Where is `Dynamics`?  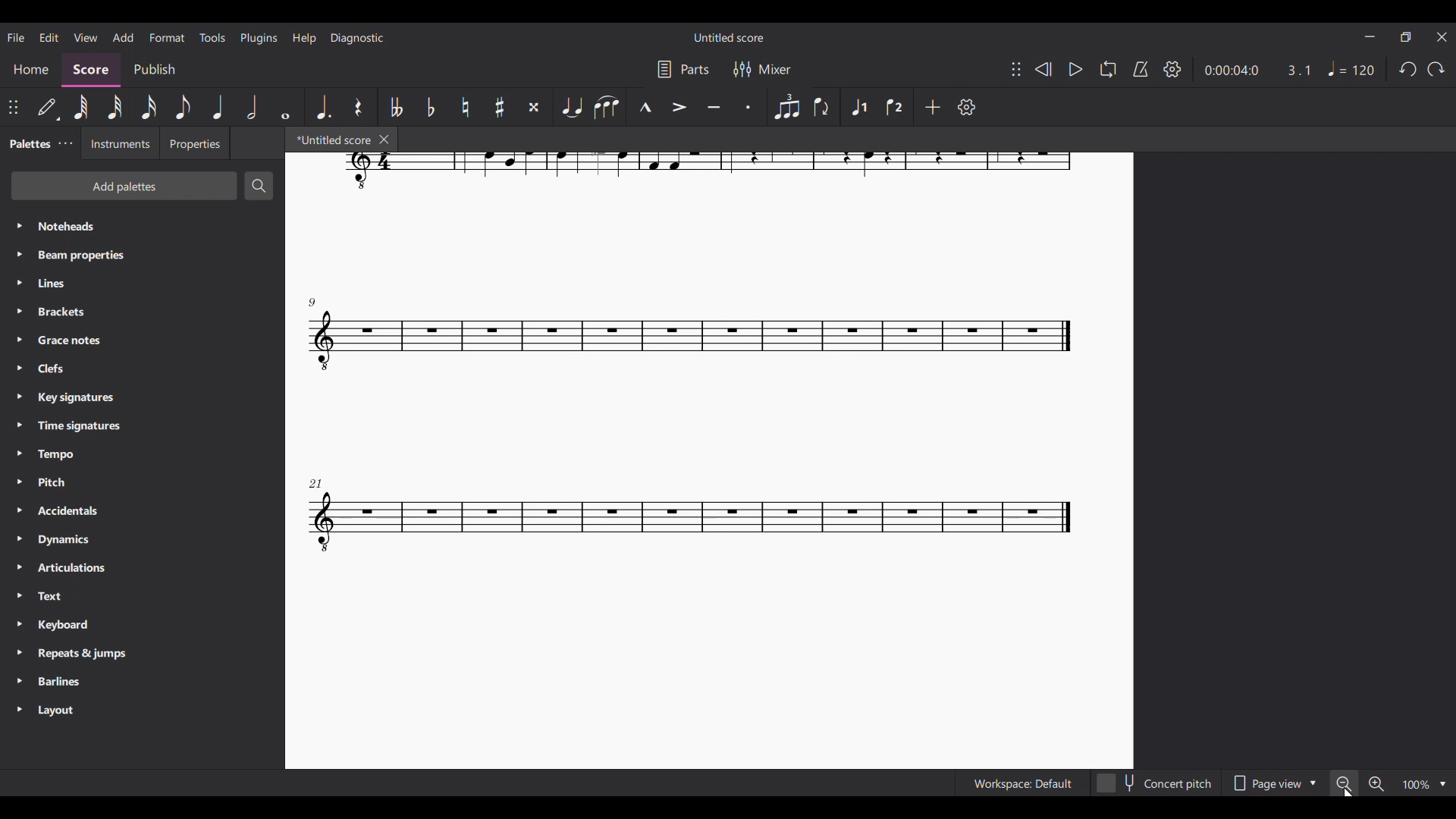 Dynamics is located at coordinates (142, 539).